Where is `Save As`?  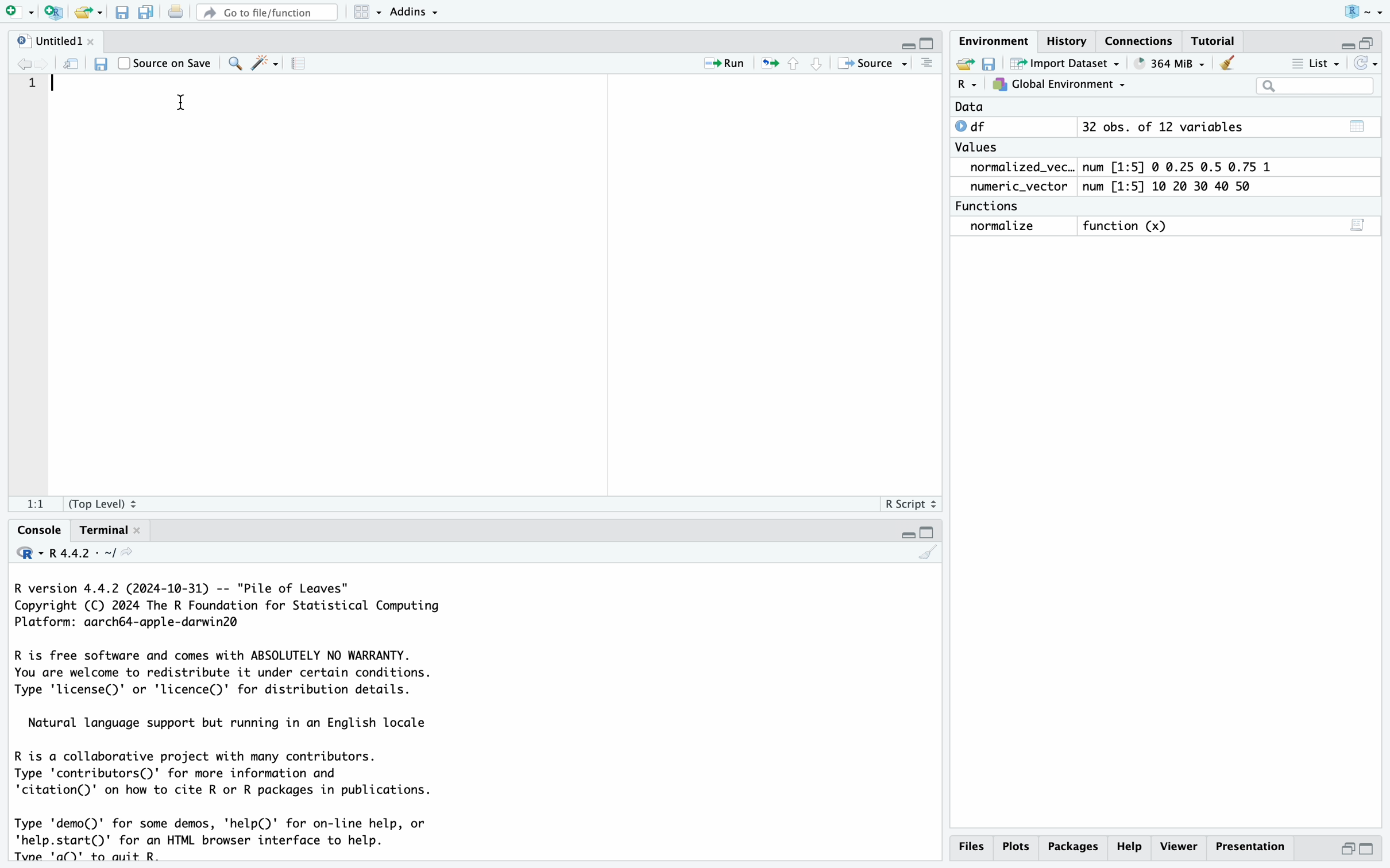
Save As is located at coordinates (146, 13).